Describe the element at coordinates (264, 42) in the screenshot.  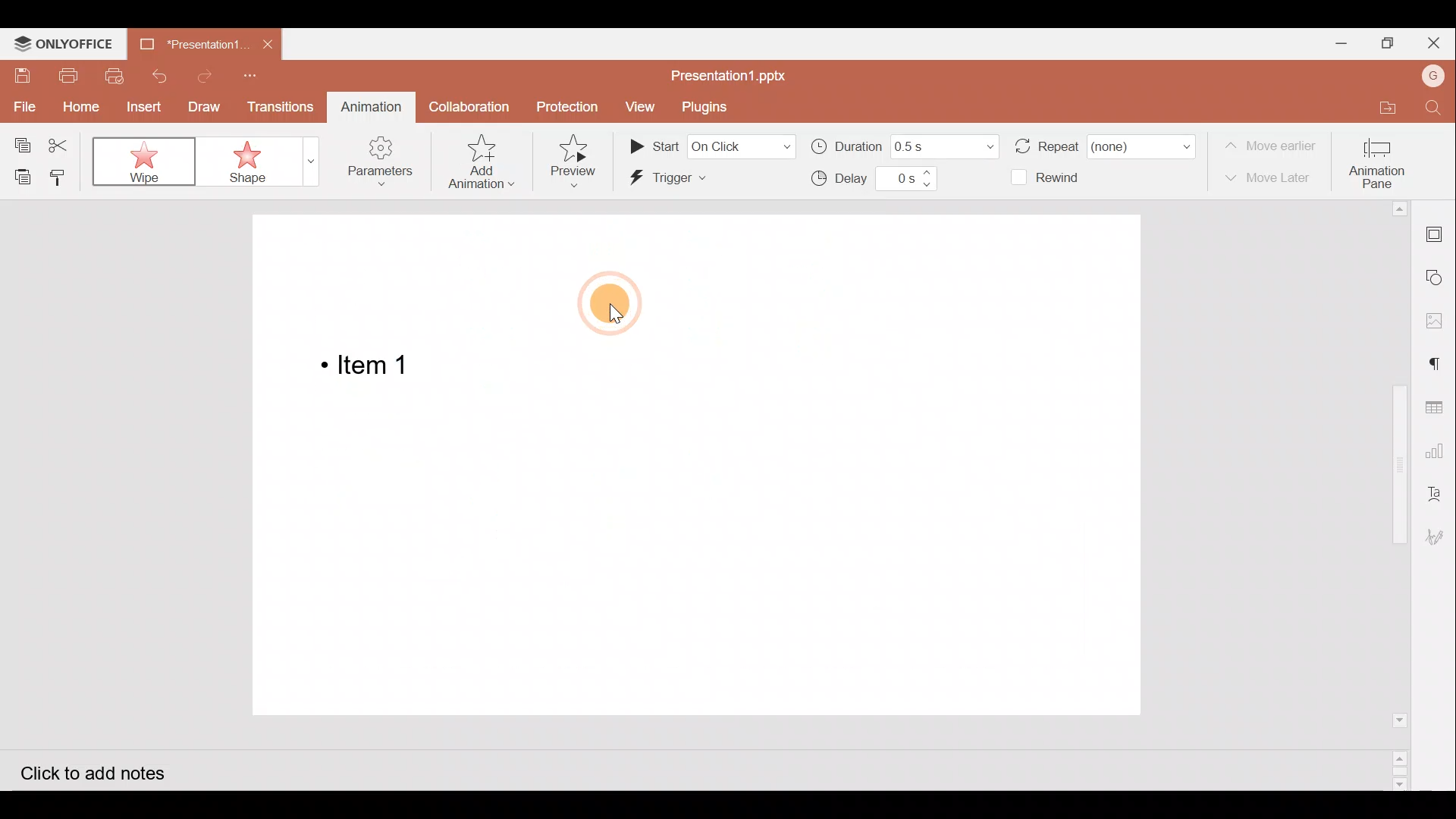
I see `Close document` at that location.